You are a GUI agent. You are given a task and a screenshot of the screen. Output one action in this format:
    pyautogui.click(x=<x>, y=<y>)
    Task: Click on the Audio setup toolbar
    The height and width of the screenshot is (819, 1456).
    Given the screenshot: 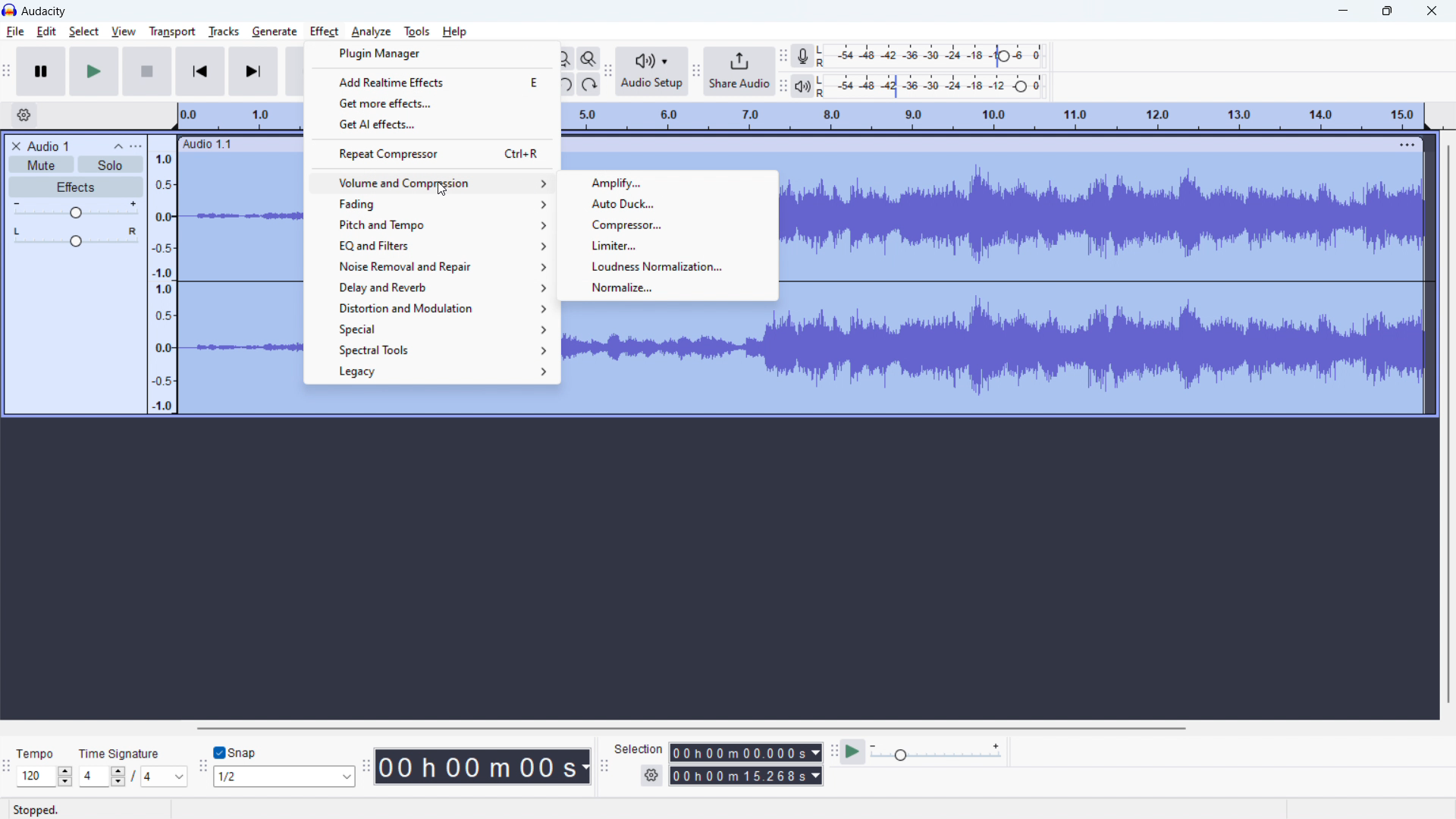 What is the action you would take?
    pyautogui.click(x=608, y=72)
    